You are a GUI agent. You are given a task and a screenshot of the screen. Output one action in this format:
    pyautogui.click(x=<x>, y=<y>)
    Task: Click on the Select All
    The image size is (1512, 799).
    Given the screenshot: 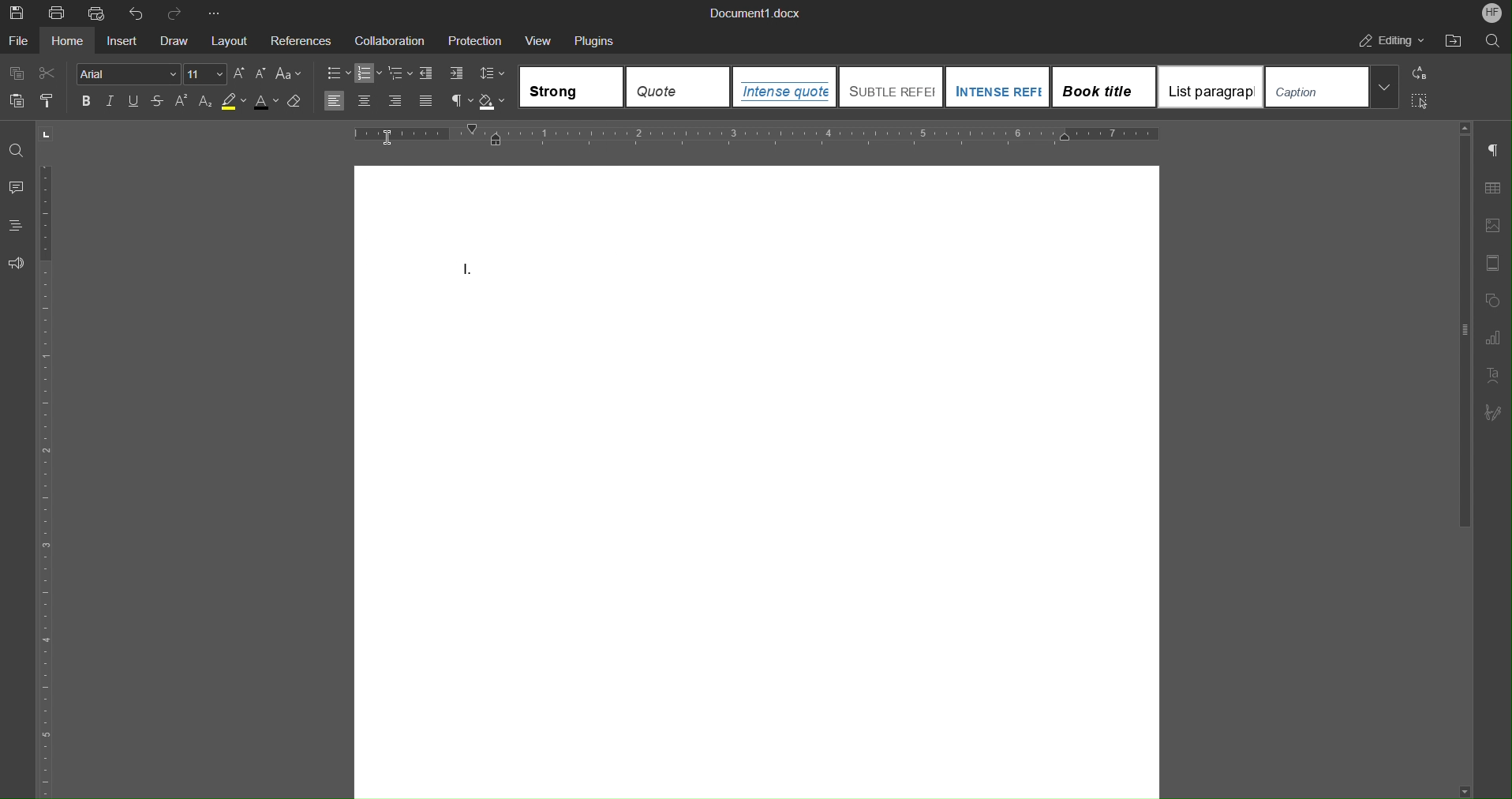 What is the action you would take?
    pyautogui.click(x=1420, y=101)
    